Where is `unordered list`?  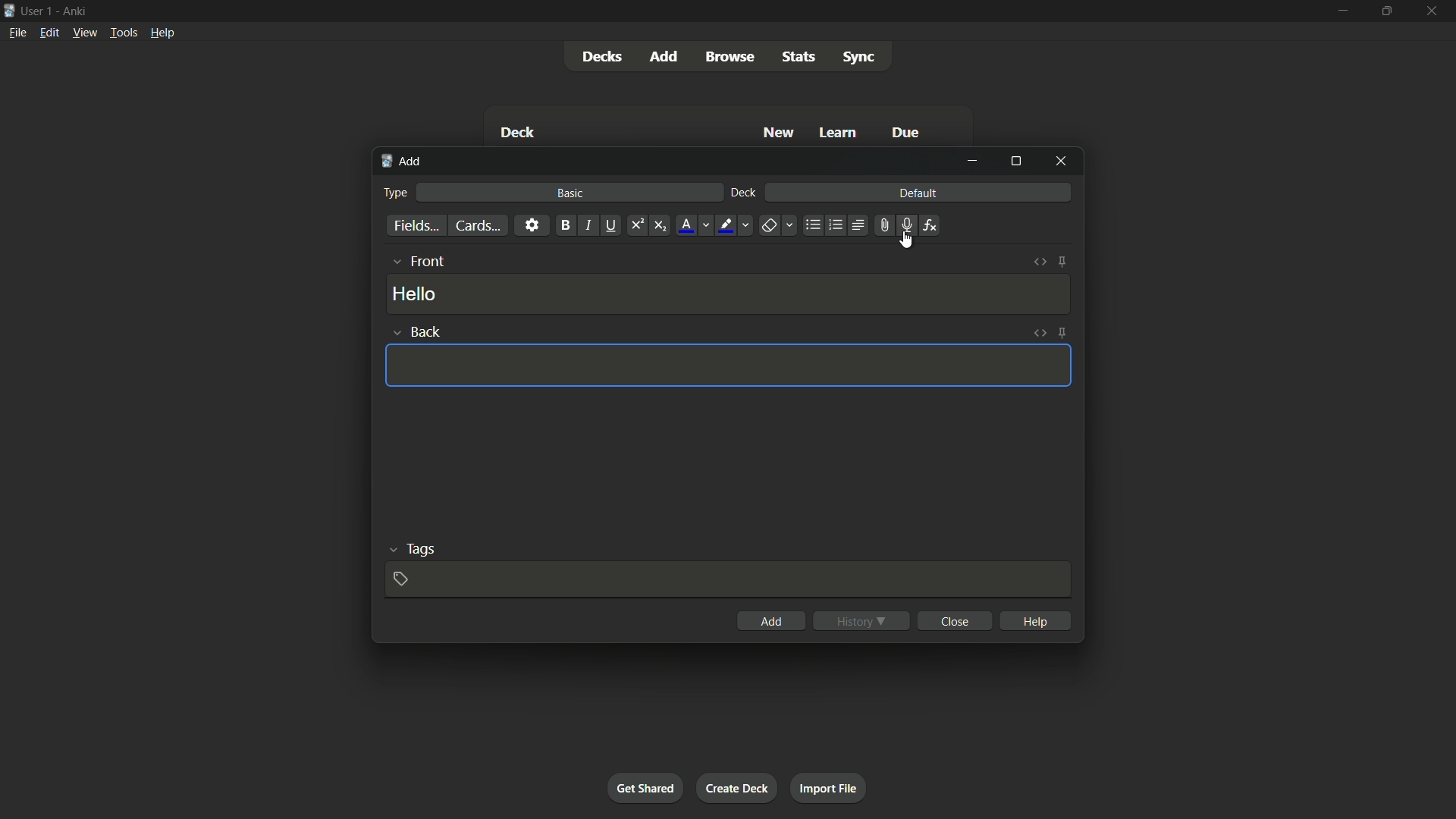 unordered list is located at coordinates (813, 226).